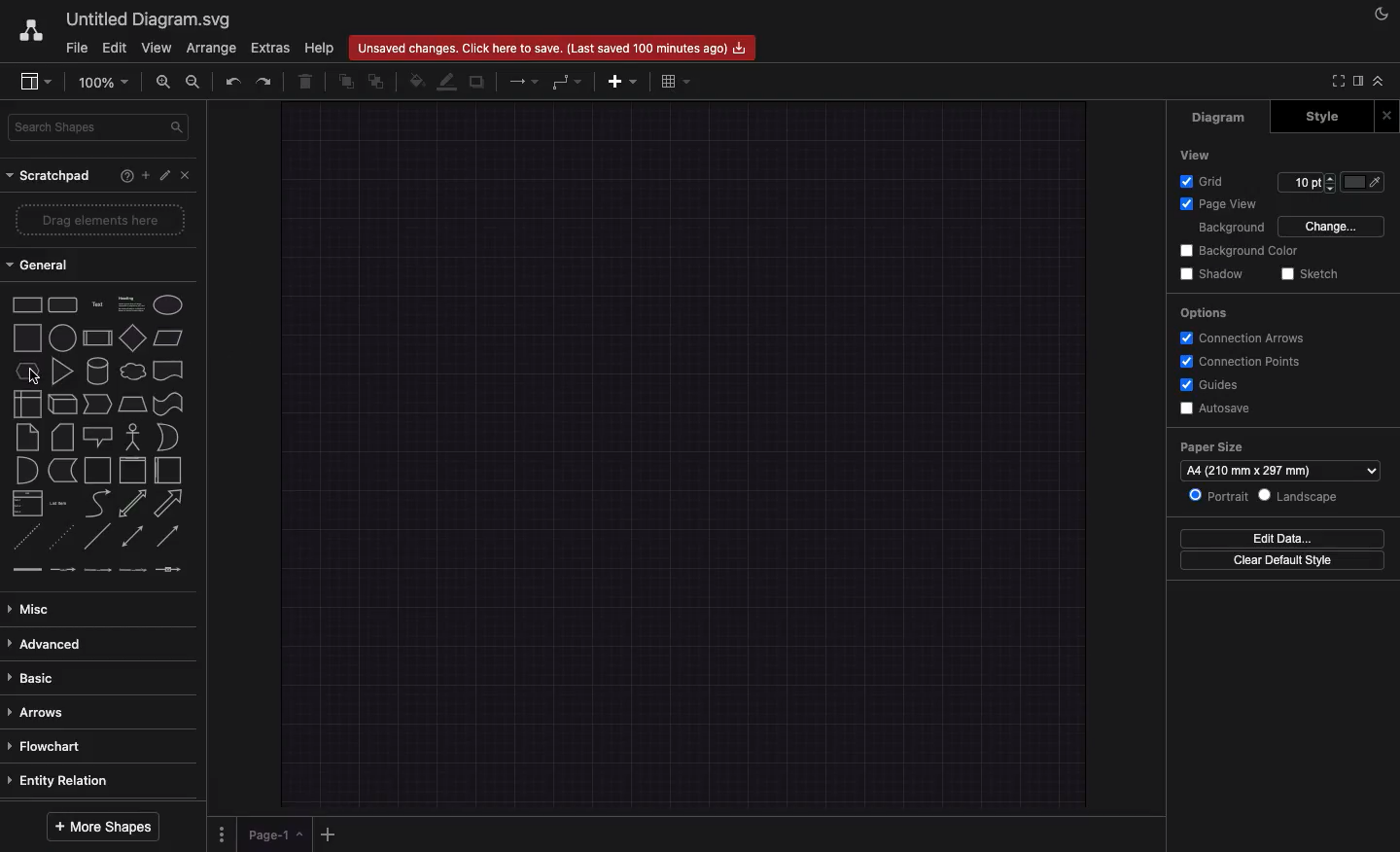 Image resolution: width=1400 pixels, height=852 pixels. Describe the element at coordinates (36, 380) in the screenshot. I see `Cursor` at that location.